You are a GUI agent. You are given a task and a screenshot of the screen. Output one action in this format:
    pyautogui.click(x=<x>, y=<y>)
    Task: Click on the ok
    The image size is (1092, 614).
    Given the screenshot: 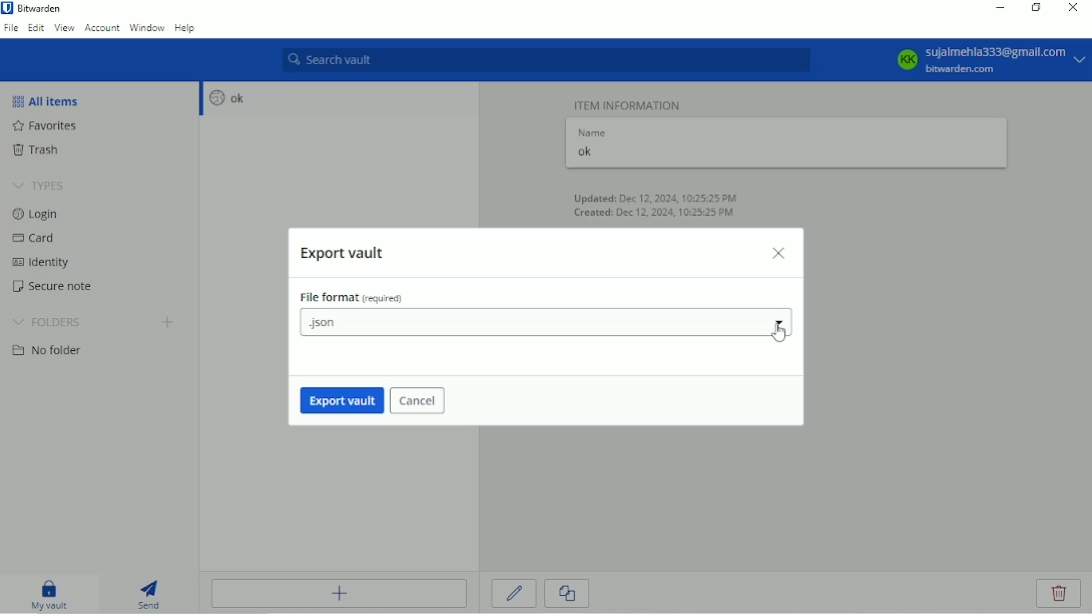 What is the action you would take?
    pyautogui.click(x=224, y=98)
    